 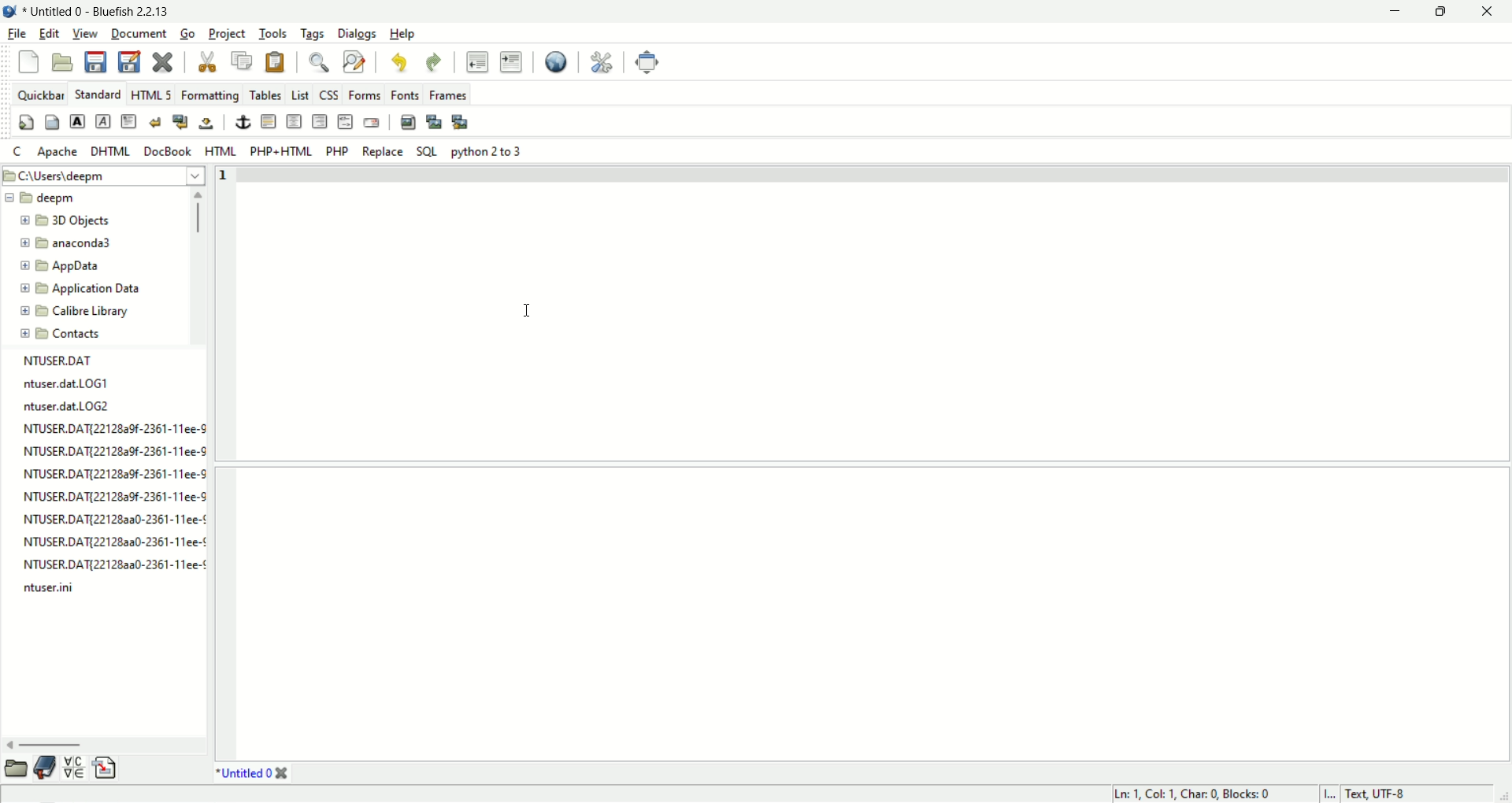 What do you see at coordinates (220, 151) in the screenshot?
I see `HTML` at bounding box center [220, 151].